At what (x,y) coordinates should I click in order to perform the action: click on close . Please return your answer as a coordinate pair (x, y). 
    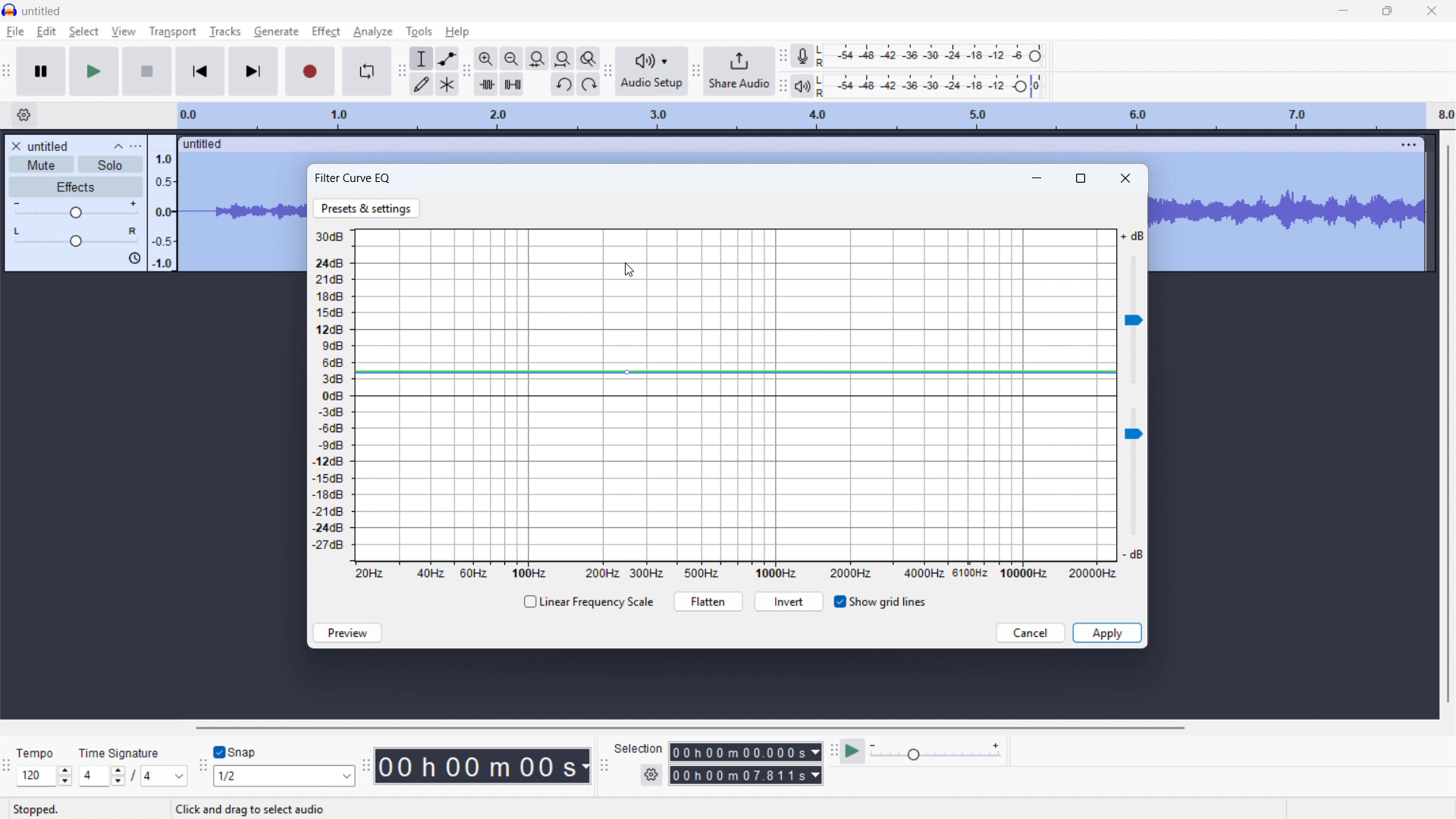
    Looking at the image, I should click on (1126, 178).